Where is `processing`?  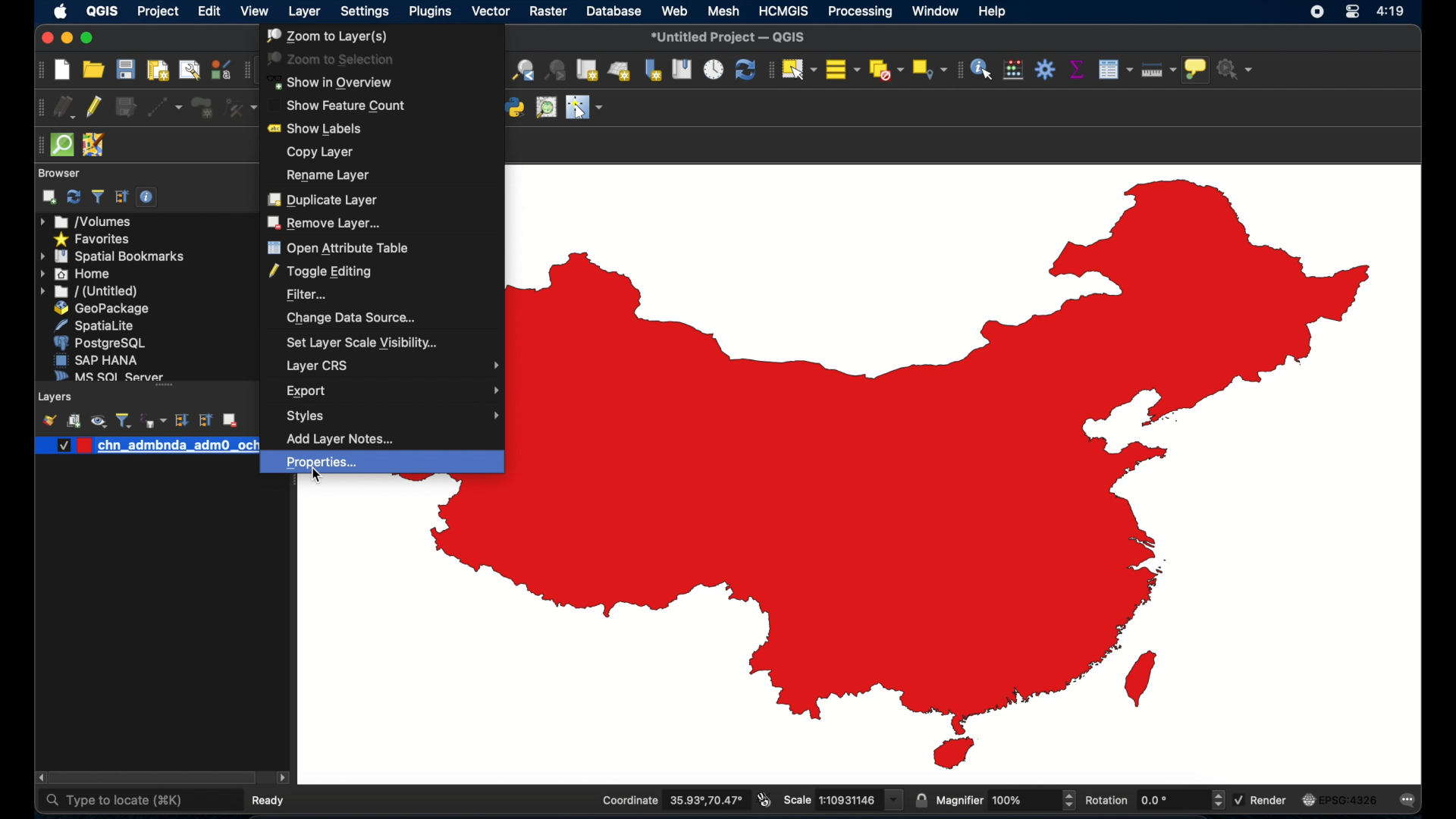
processing is located at coordinates (860, 11).